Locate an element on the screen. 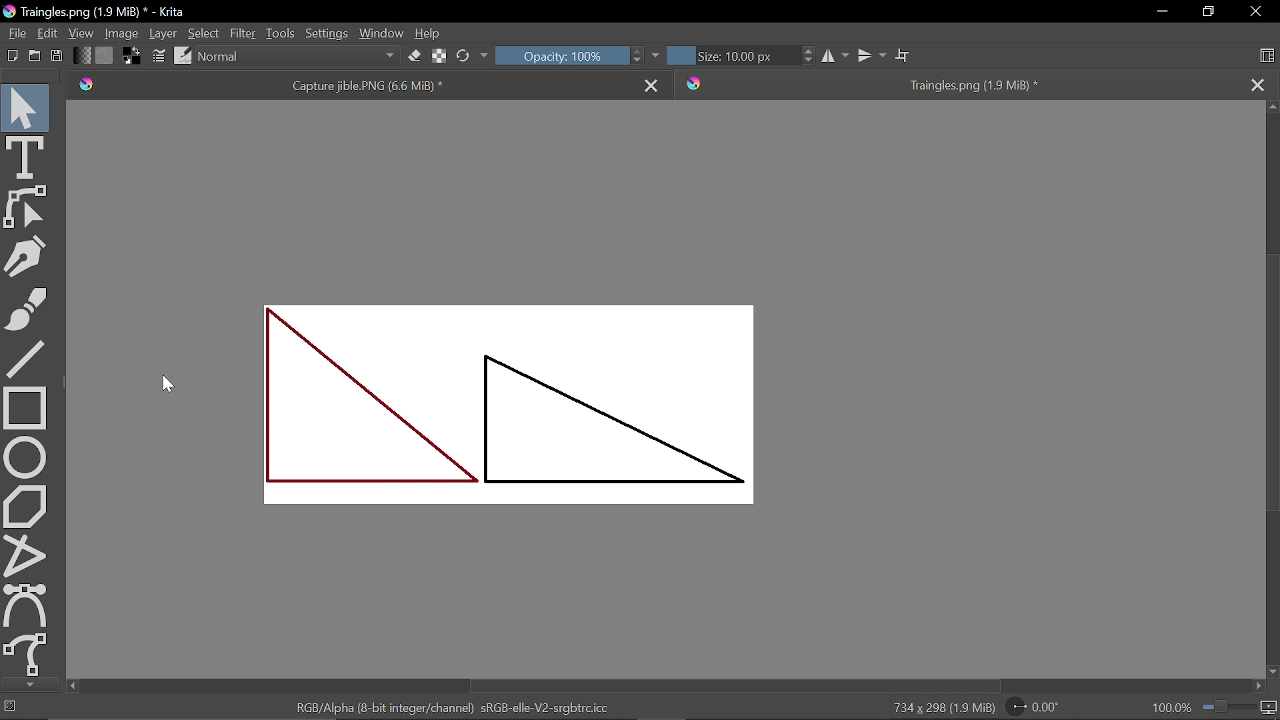 The width and height of the screenshot is (1280, 720). Opacity: 100% is located at coordinates (558, 56).